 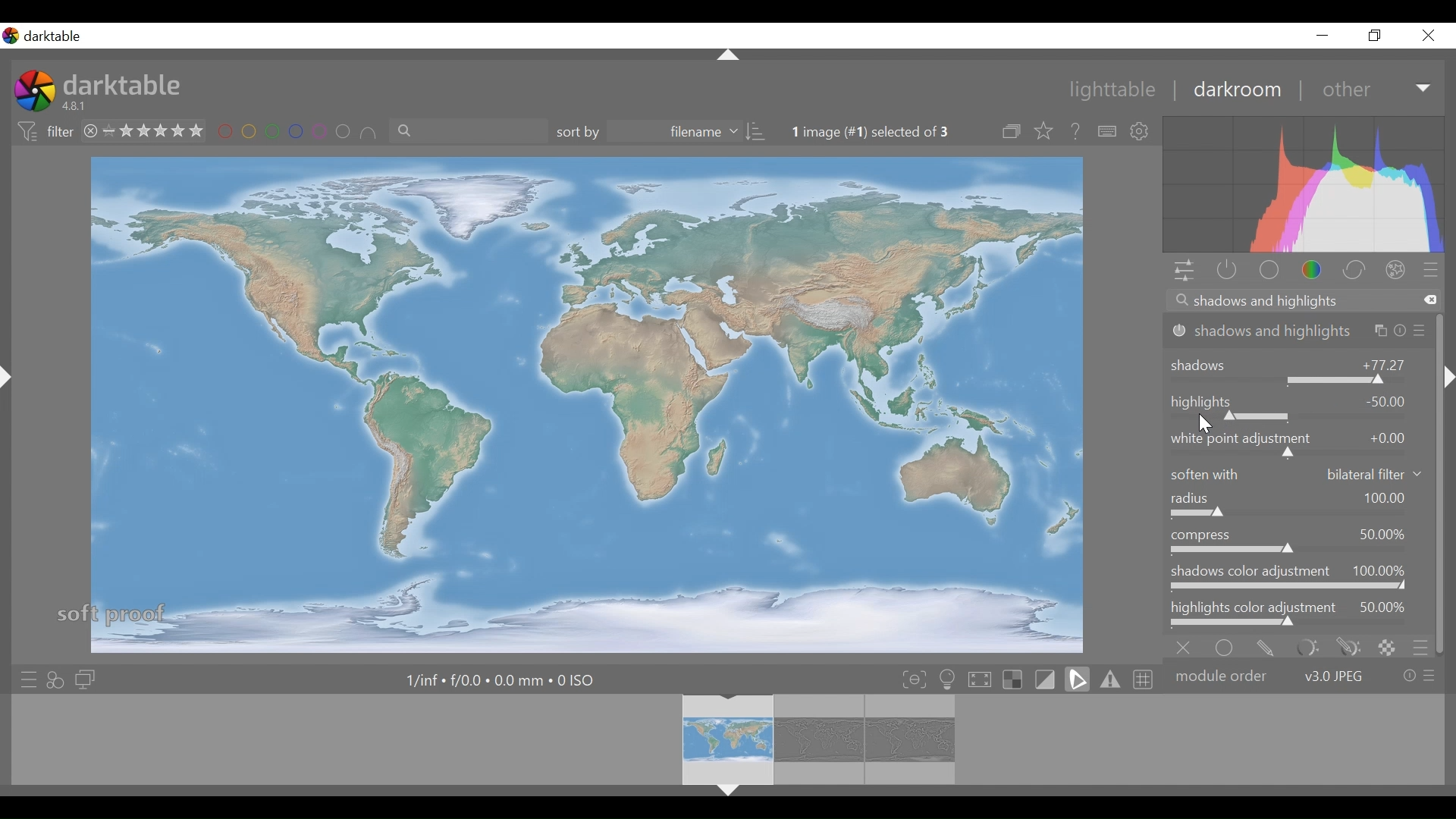 What do you see at coordinates (1378, 37) in the screenshot?
I see `restore` at bounding box center [1378, 37].